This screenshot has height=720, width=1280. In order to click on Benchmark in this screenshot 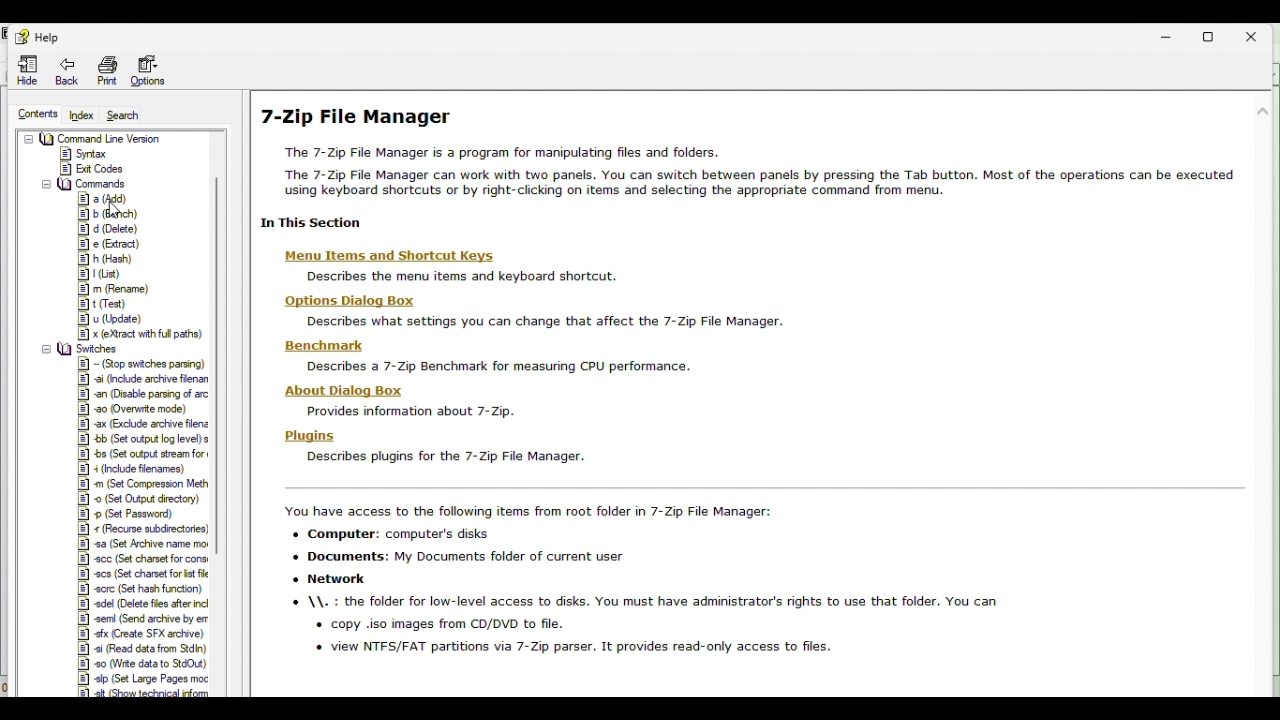, I will do `click(331, 345)`.